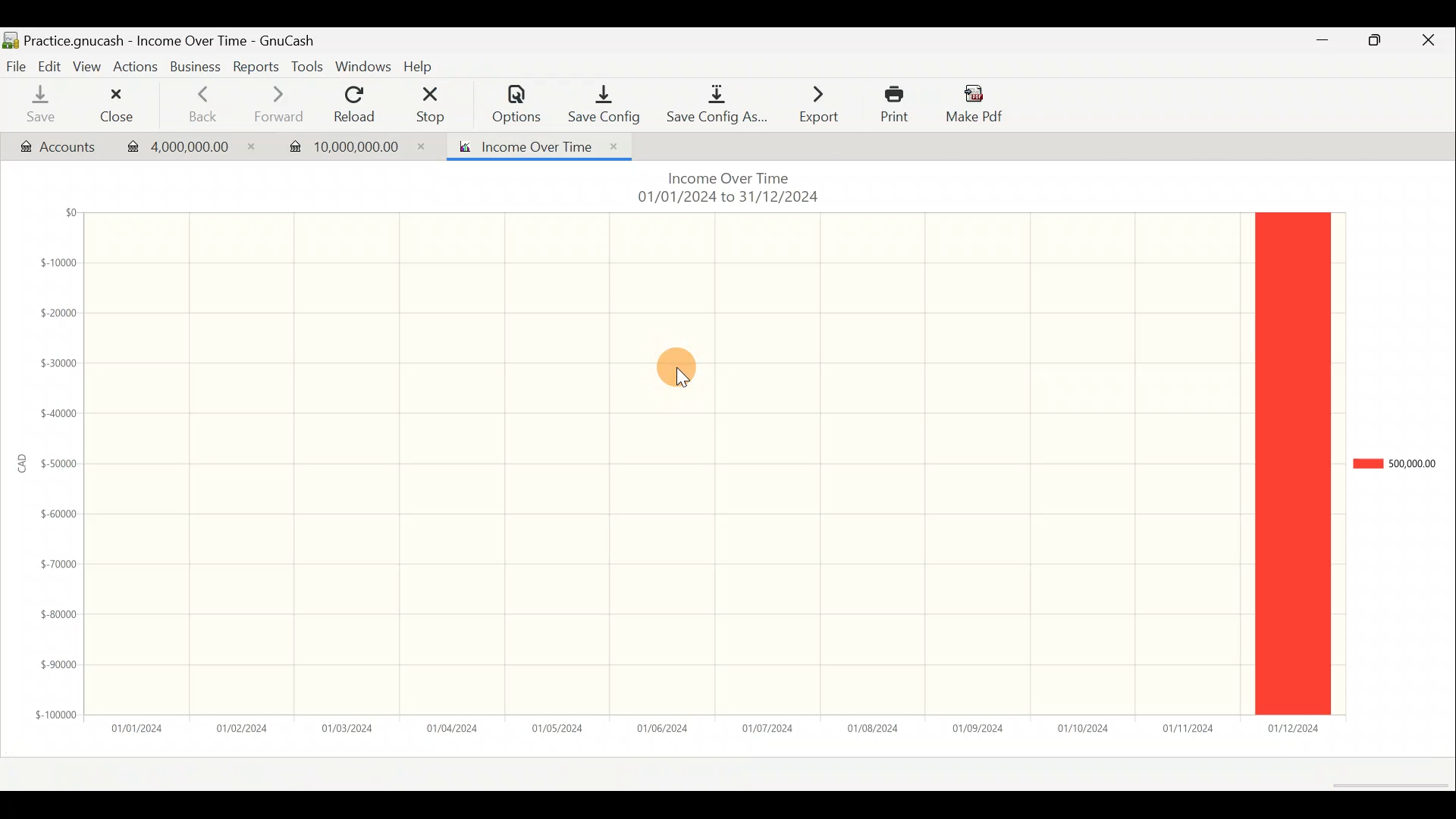  I want to click on Actions, so click(137, 66).